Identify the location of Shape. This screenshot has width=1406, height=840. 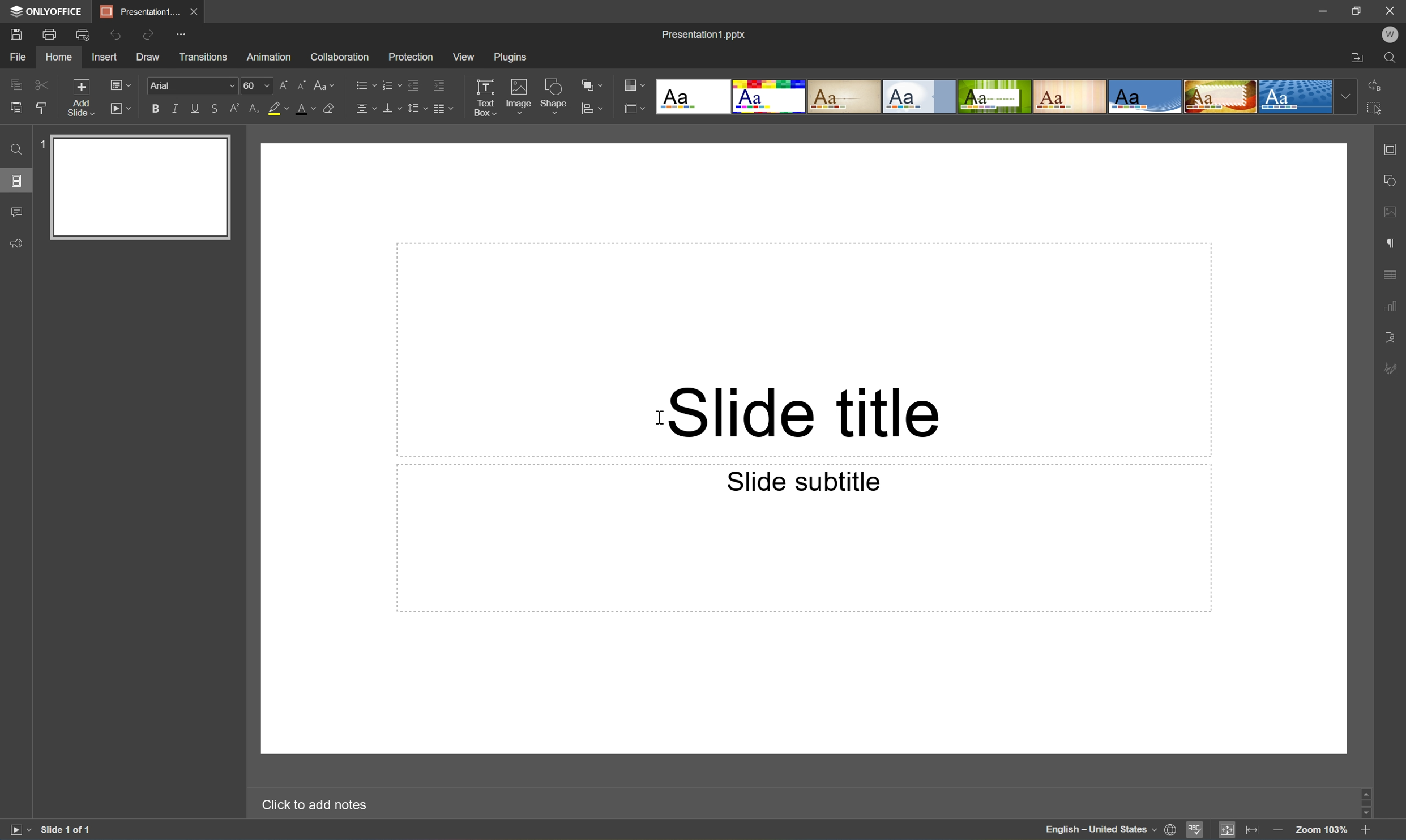
(554, 95).